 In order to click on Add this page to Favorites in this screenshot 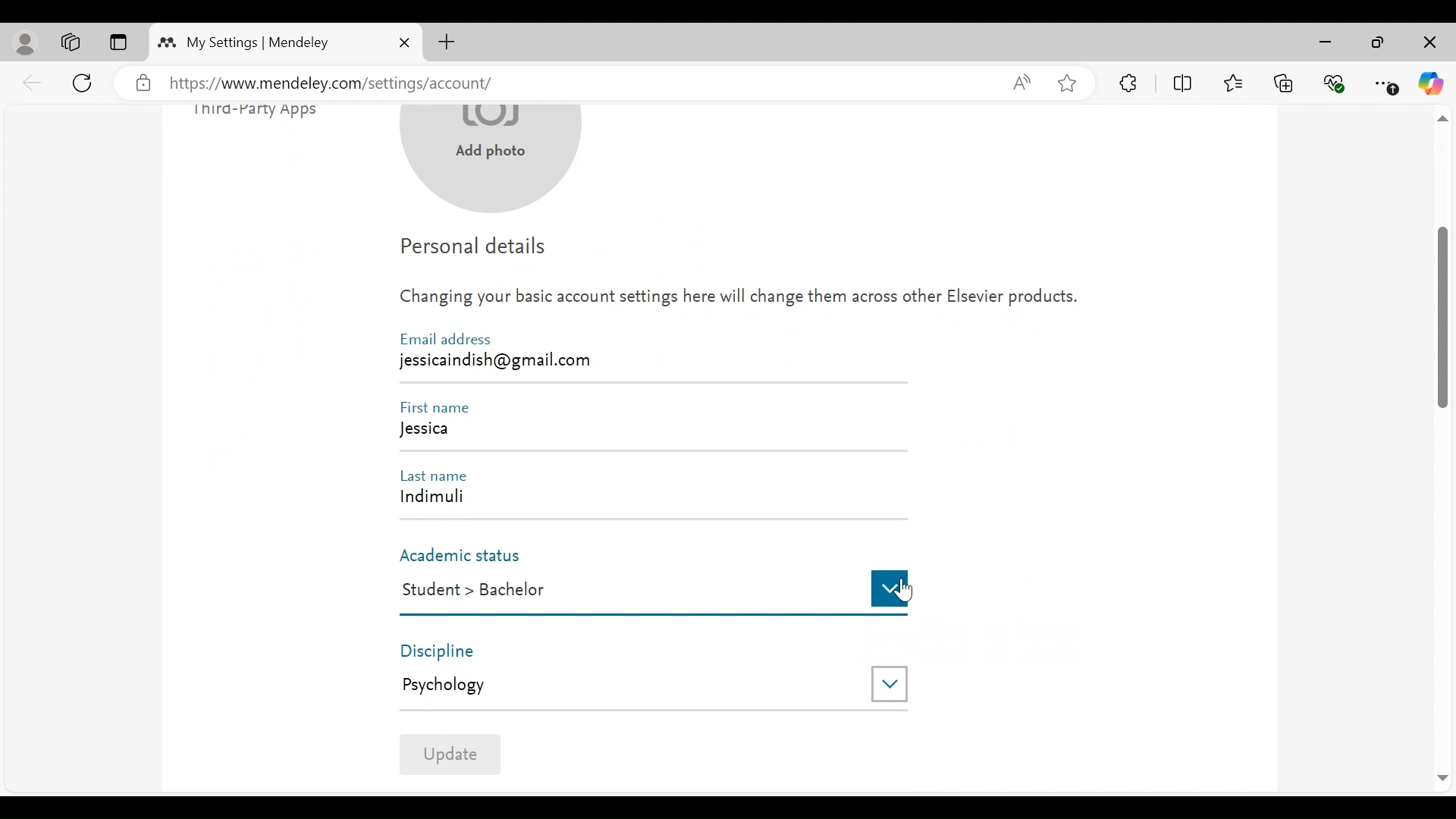, I will do `click(1066, 83)`.